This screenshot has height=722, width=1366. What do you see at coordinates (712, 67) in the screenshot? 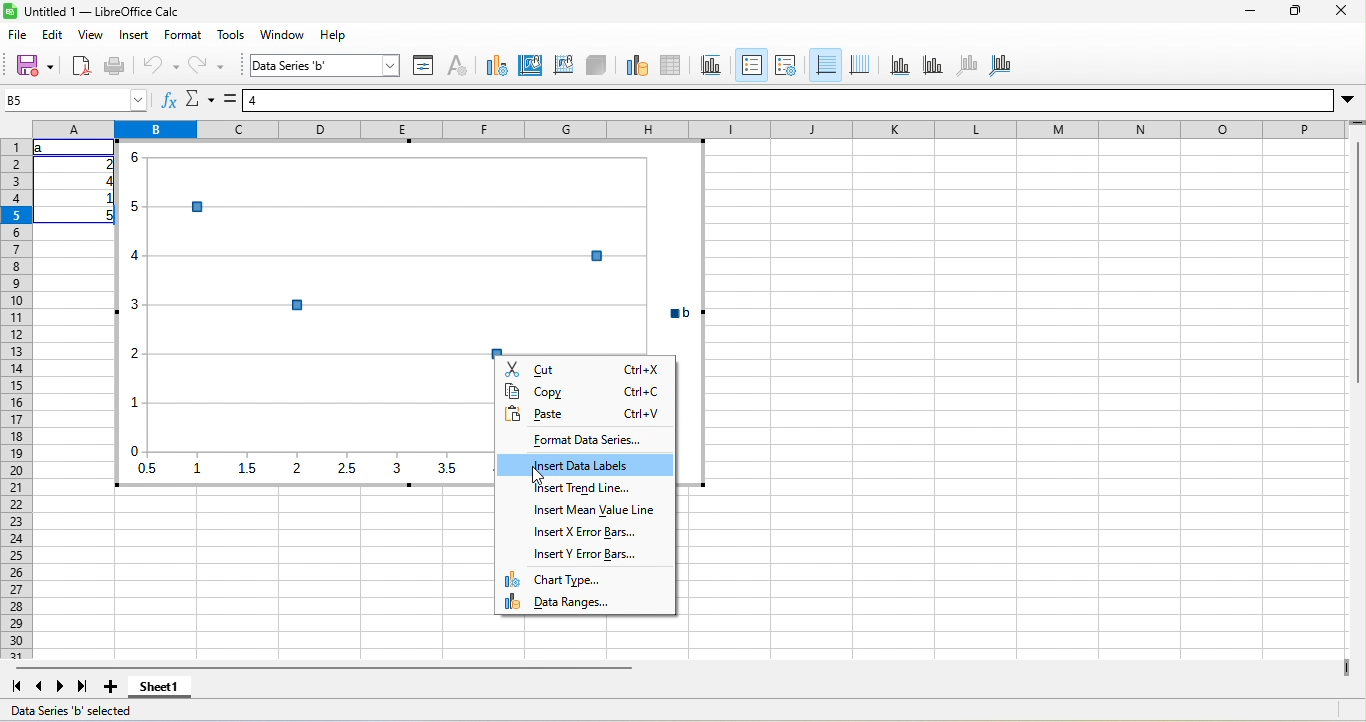
I see `title` at bounding box center [712, 67].